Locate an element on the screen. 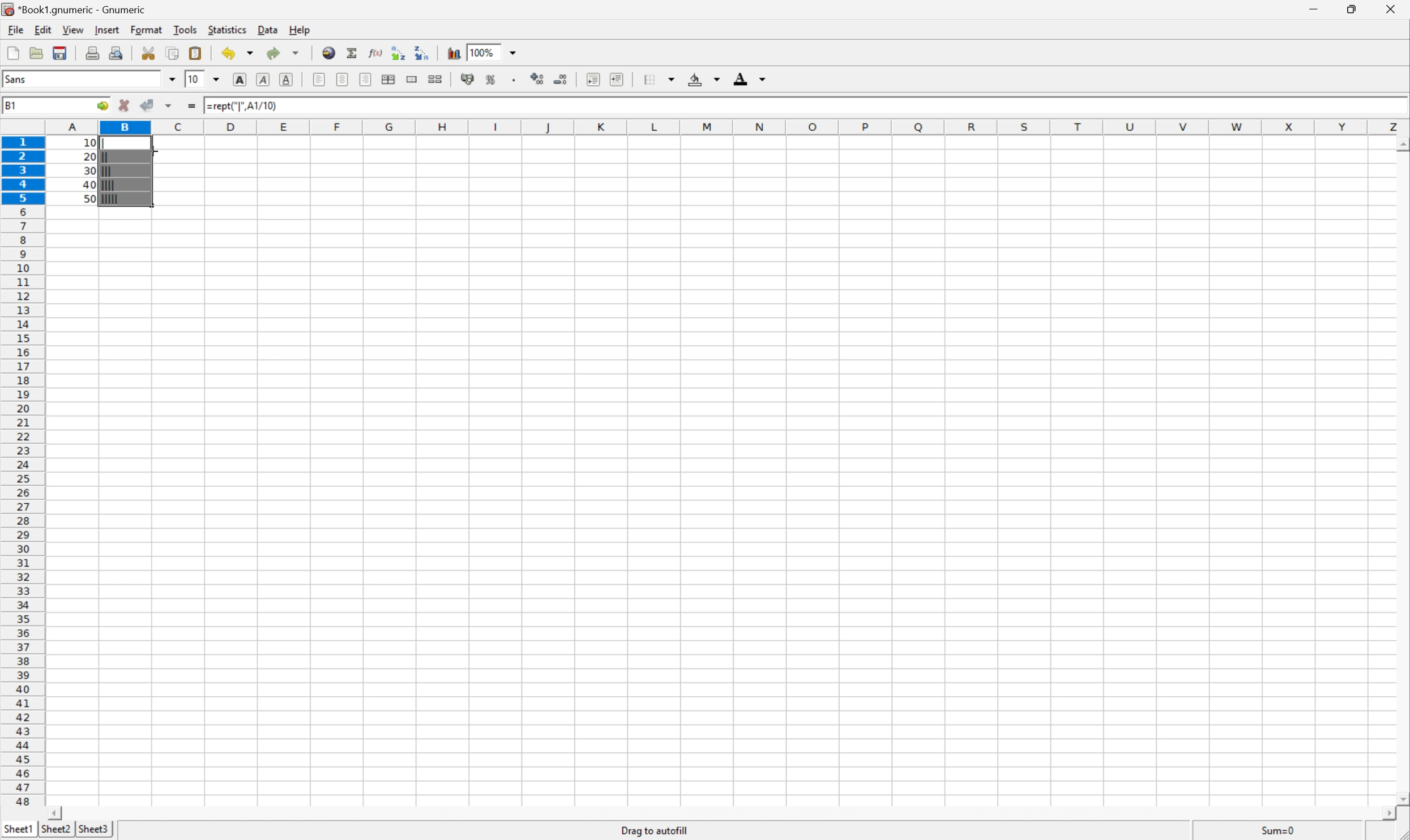 The width and height of the screenshot is (1410, 840). Cursor is located at coordinates (156, 150).